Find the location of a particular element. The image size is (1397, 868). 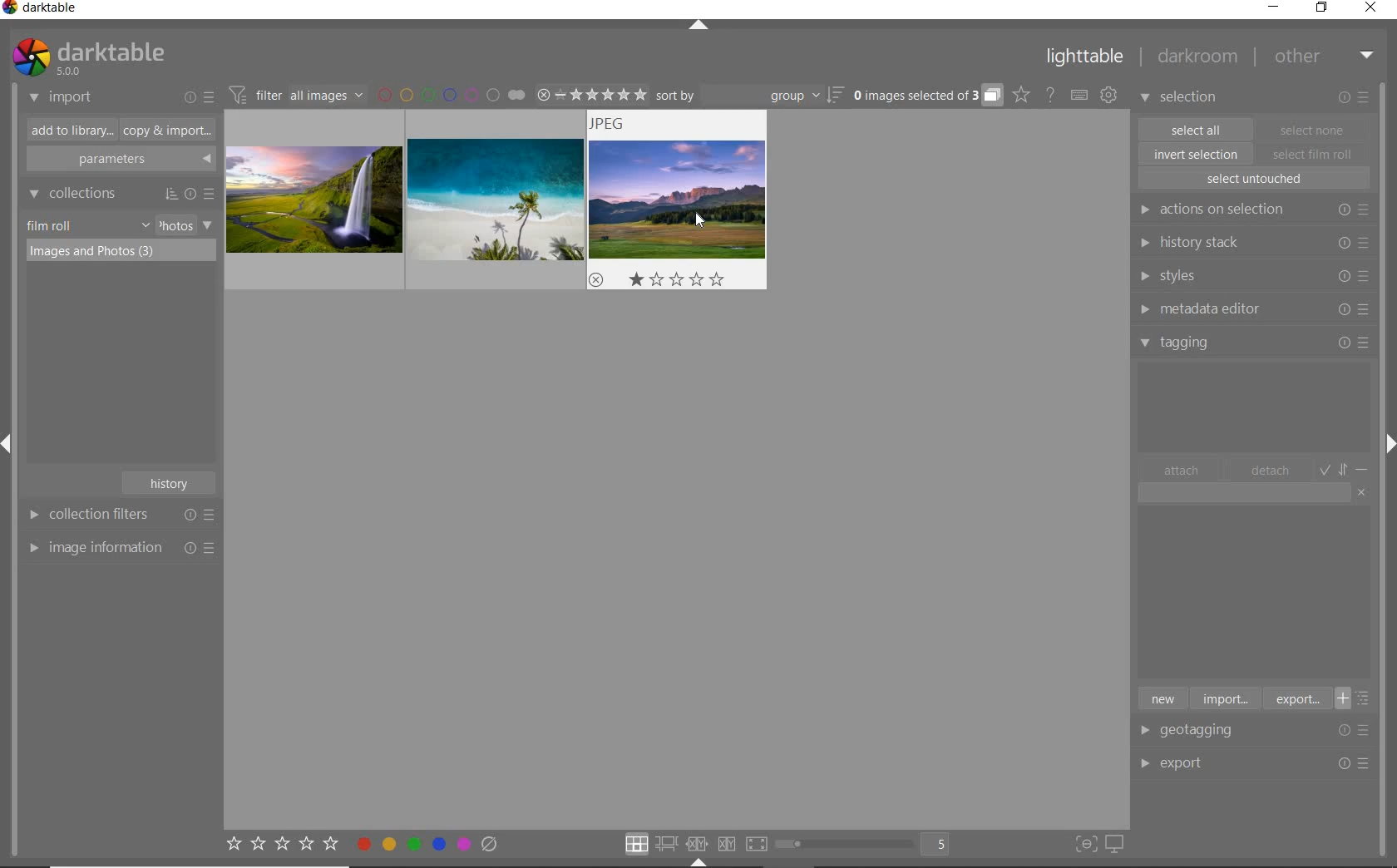

images is located at coordinates (501, 201).